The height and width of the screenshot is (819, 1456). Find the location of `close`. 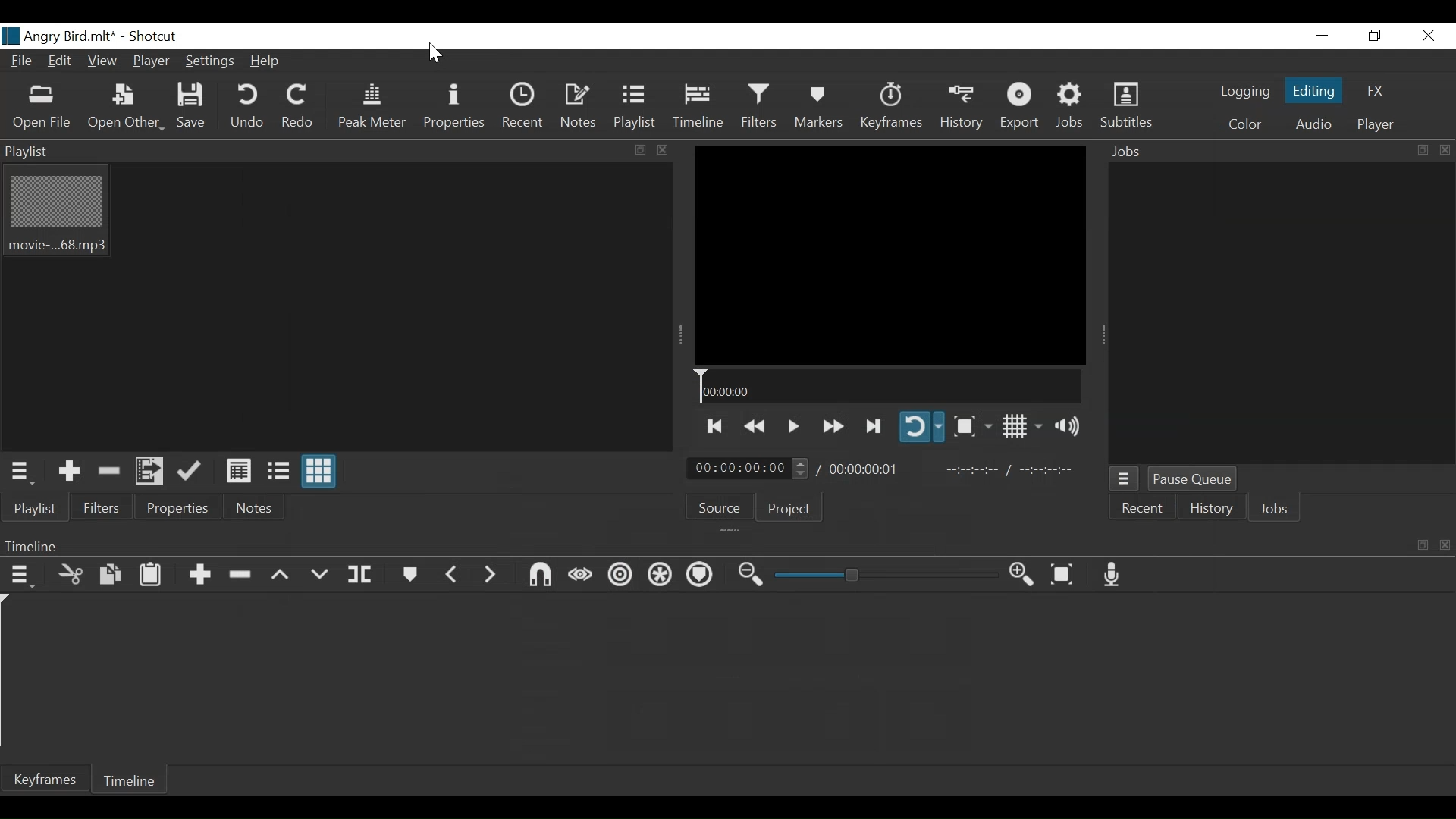

close is located at coordinates (1442, 149).